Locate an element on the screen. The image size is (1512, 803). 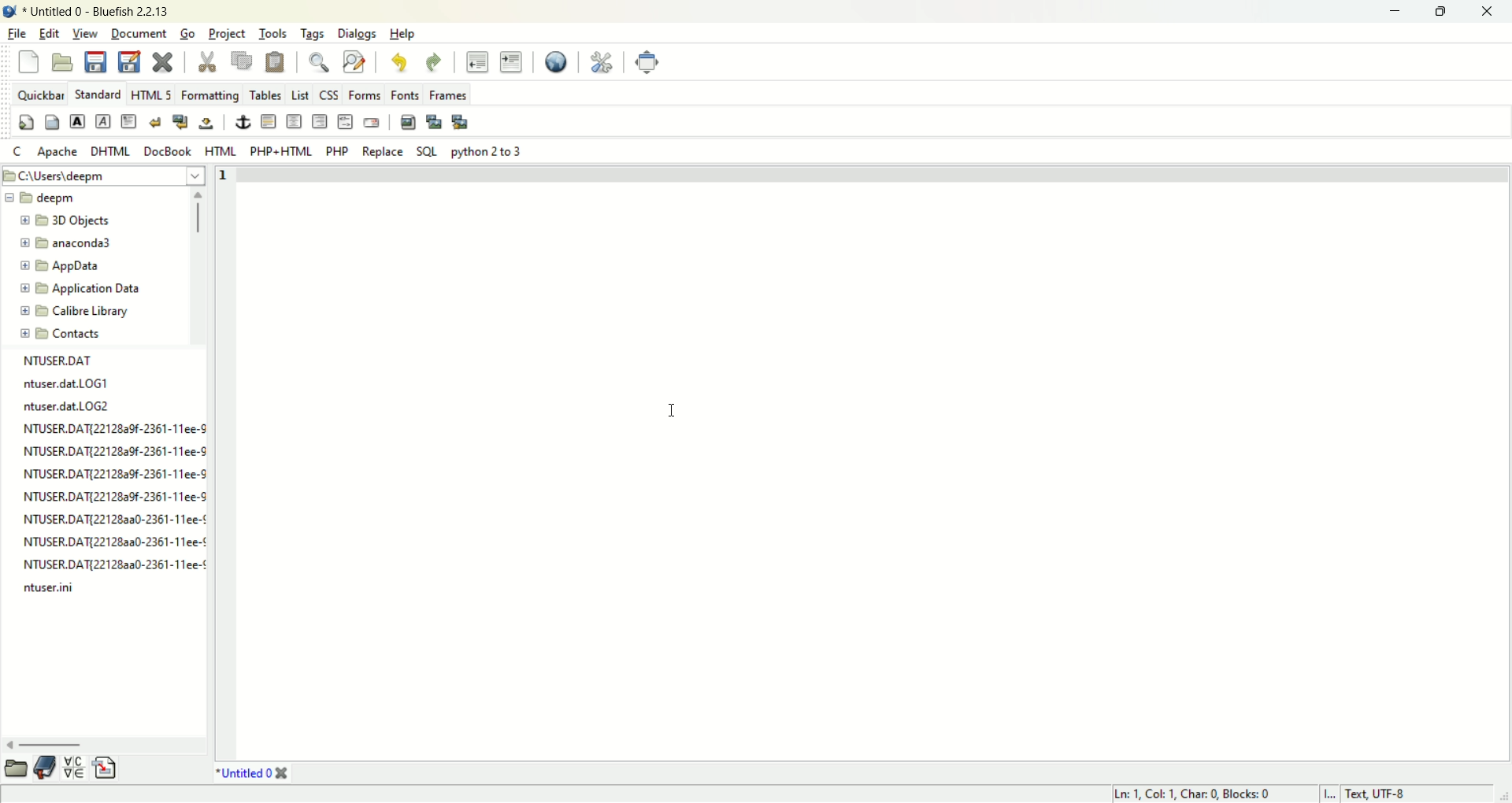
undo is located at coordinates (398, 62).